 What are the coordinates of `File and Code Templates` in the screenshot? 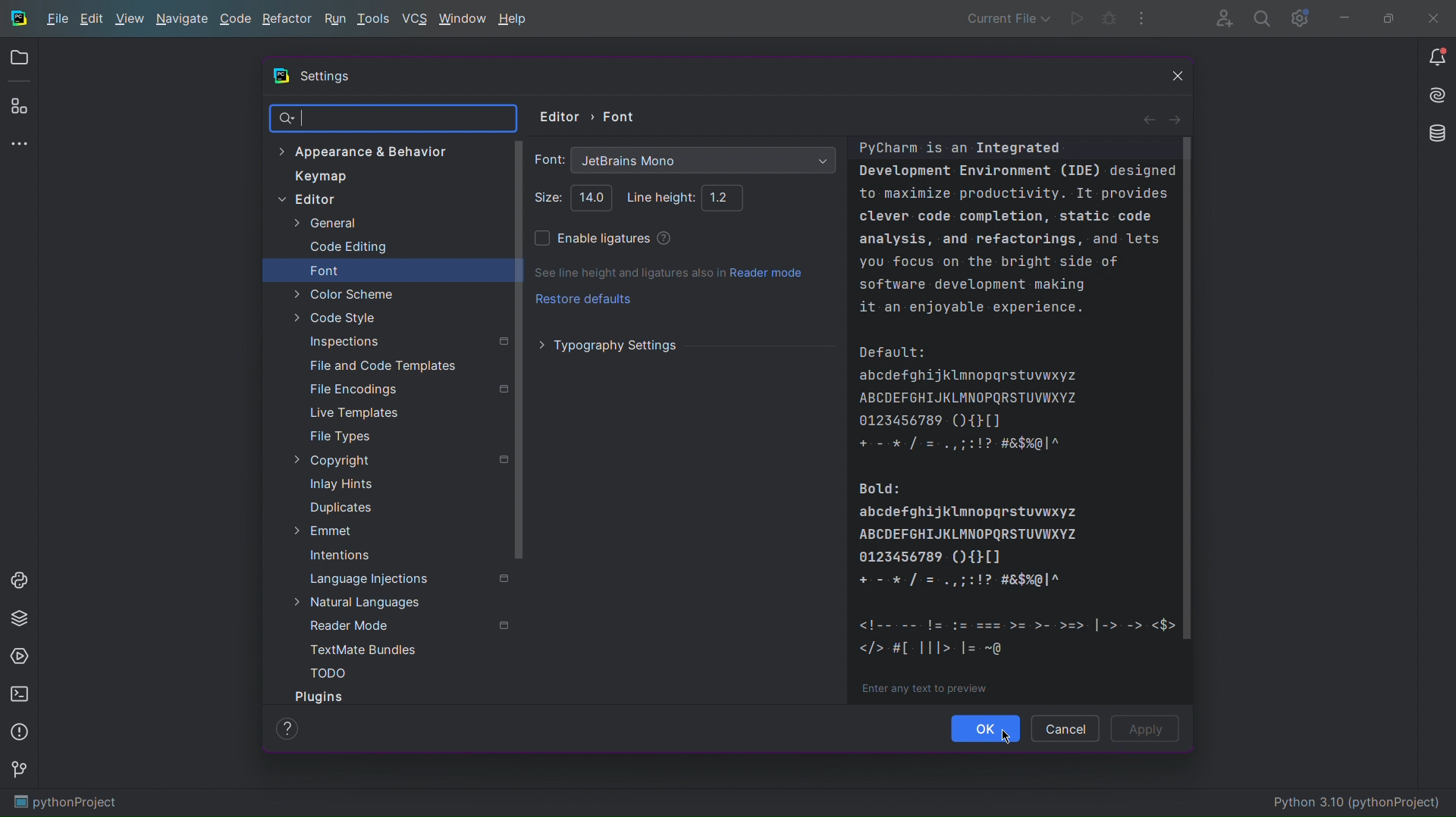 It's located at (382, 364).